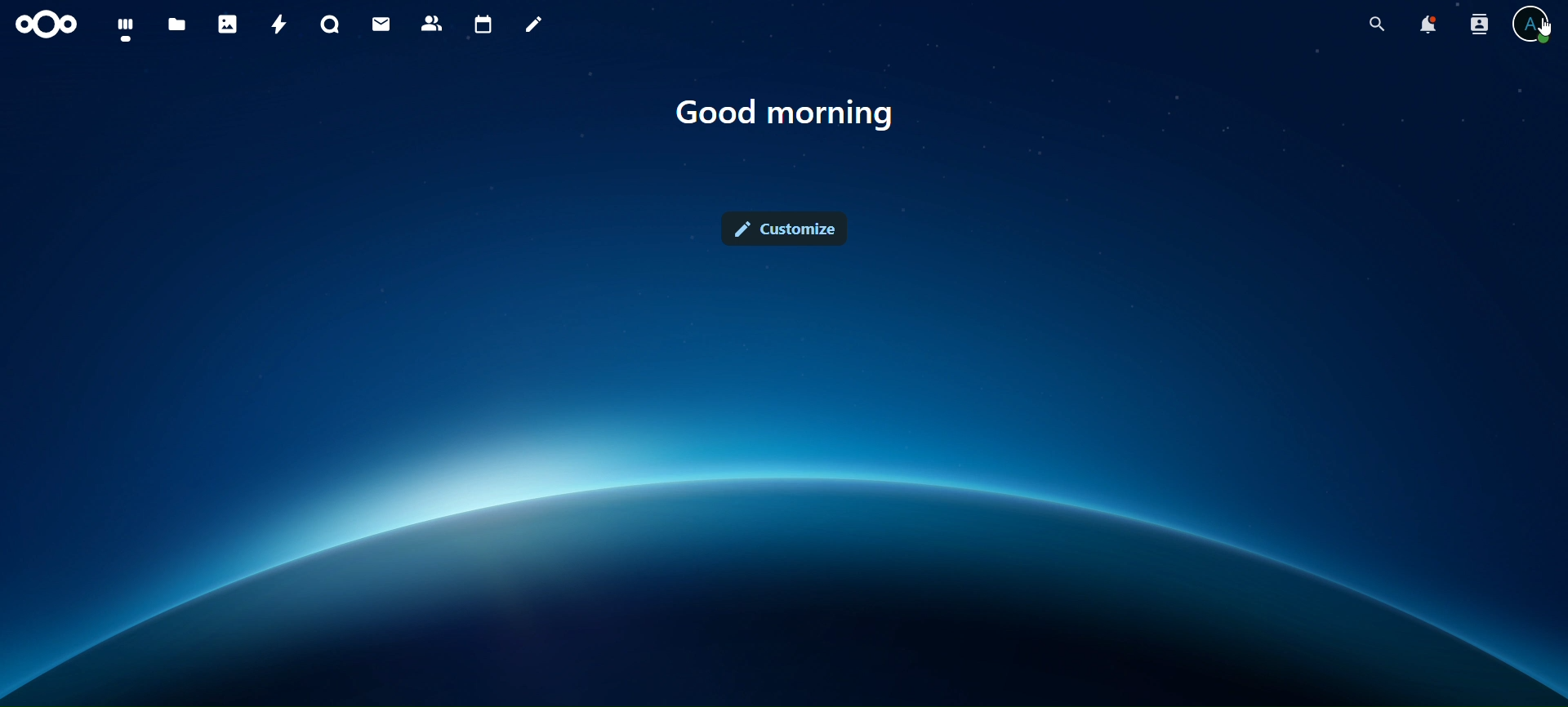 Image resolution: width=1568 pixels, height=707 pixels. I want to click on contact, so click(432, 22).